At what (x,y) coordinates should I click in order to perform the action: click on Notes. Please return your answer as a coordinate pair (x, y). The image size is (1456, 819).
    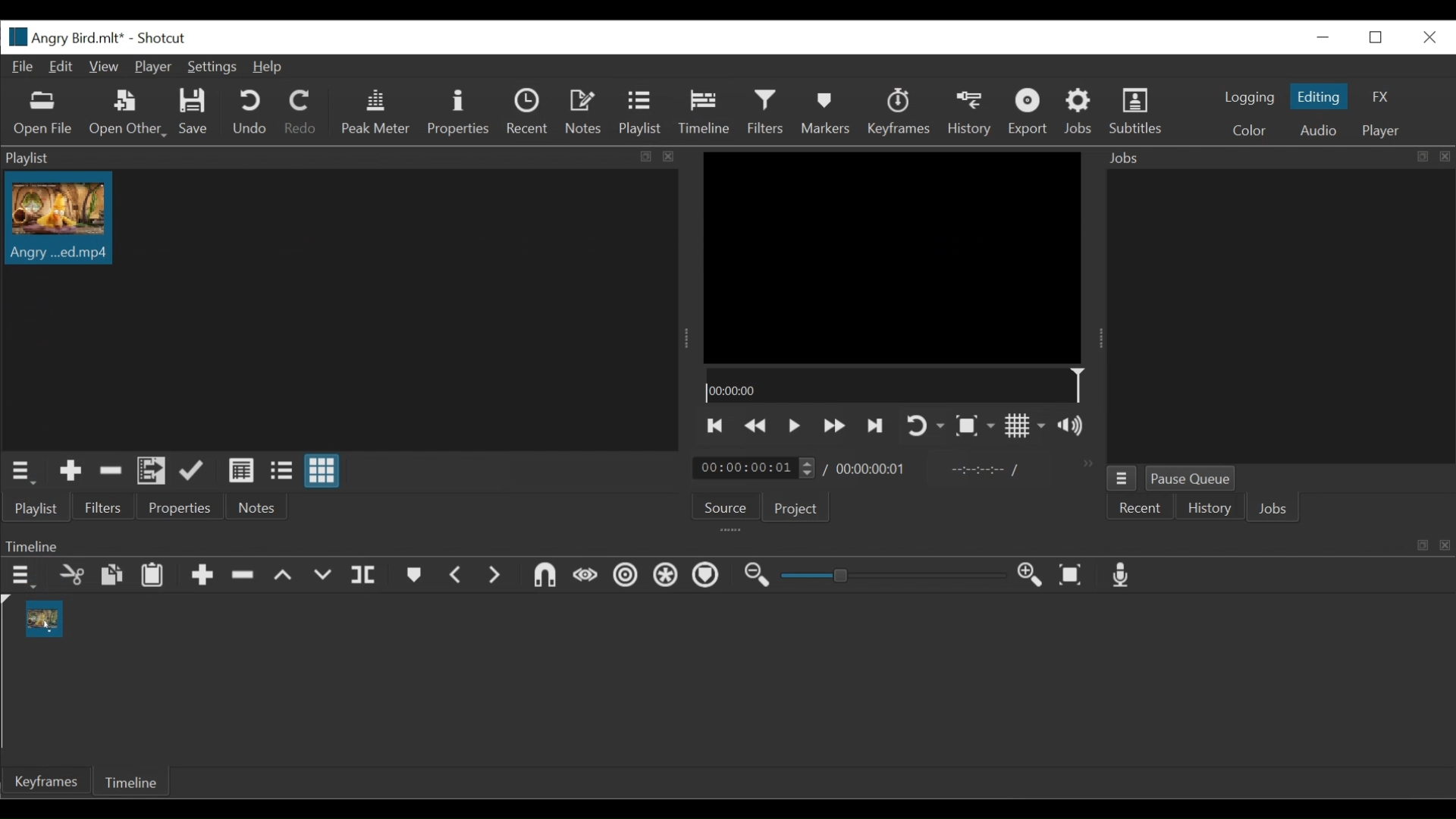
    Looking at the image, I should click on (254, 509).